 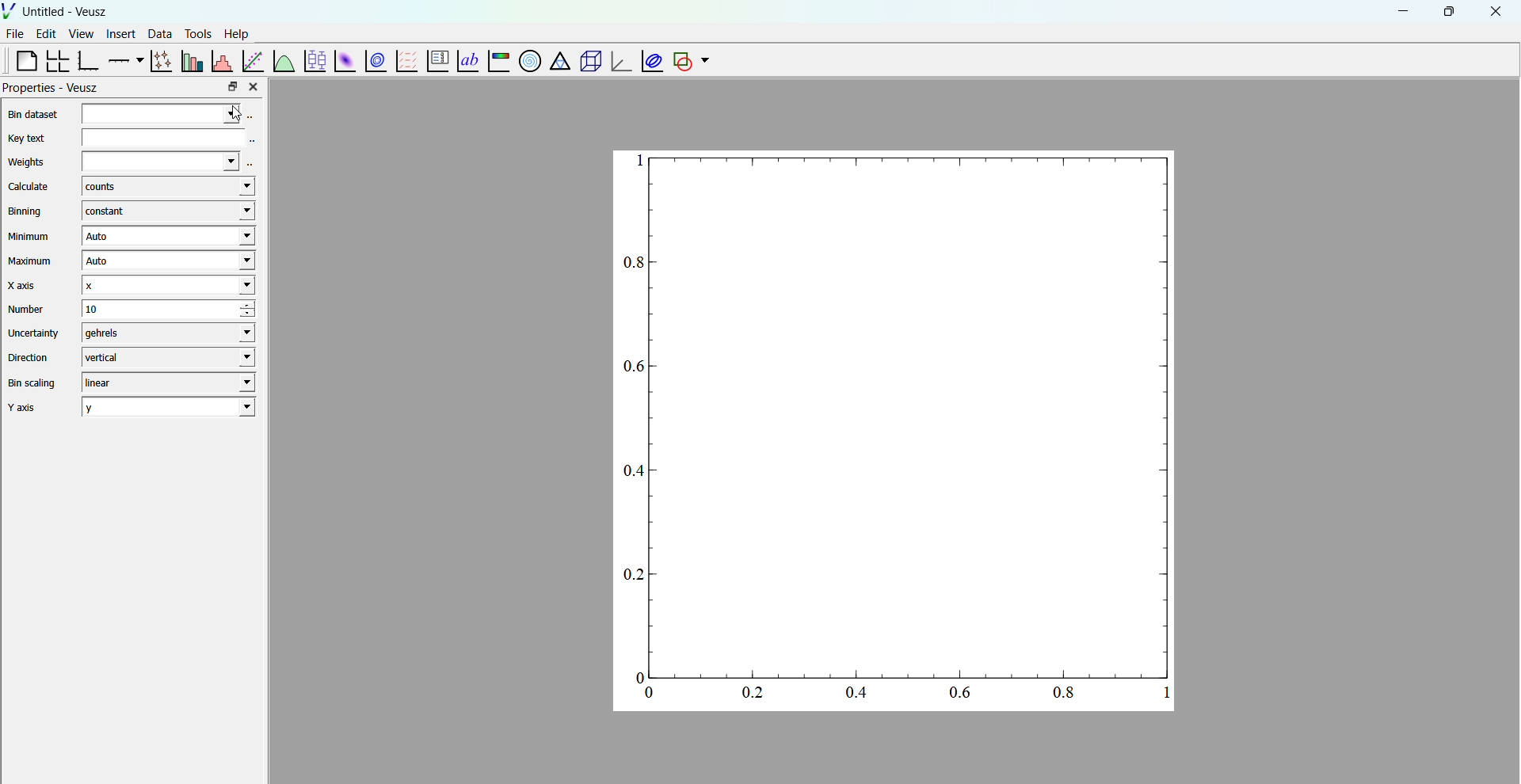 I want to click on plot bar chats, so click(x=190, y=61).